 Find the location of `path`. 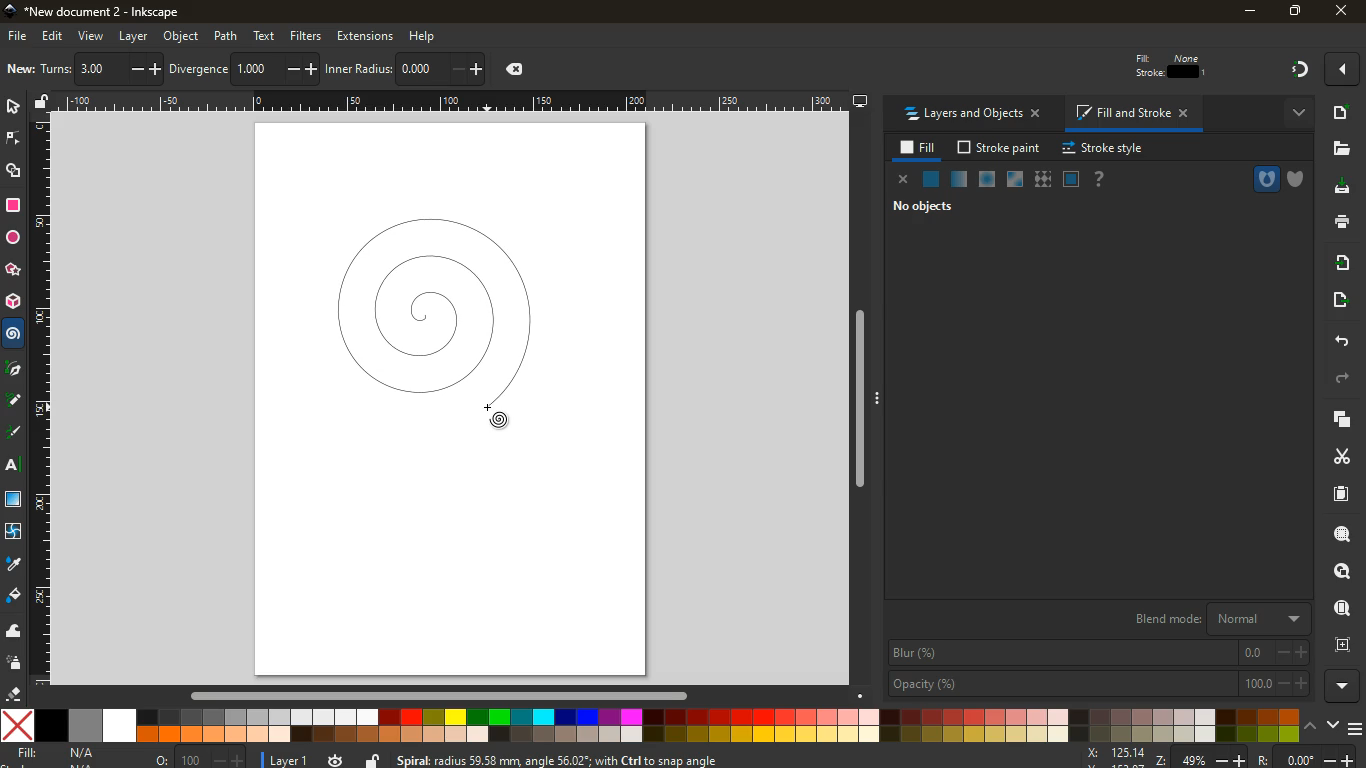

path is located at coordinates (226, 36).